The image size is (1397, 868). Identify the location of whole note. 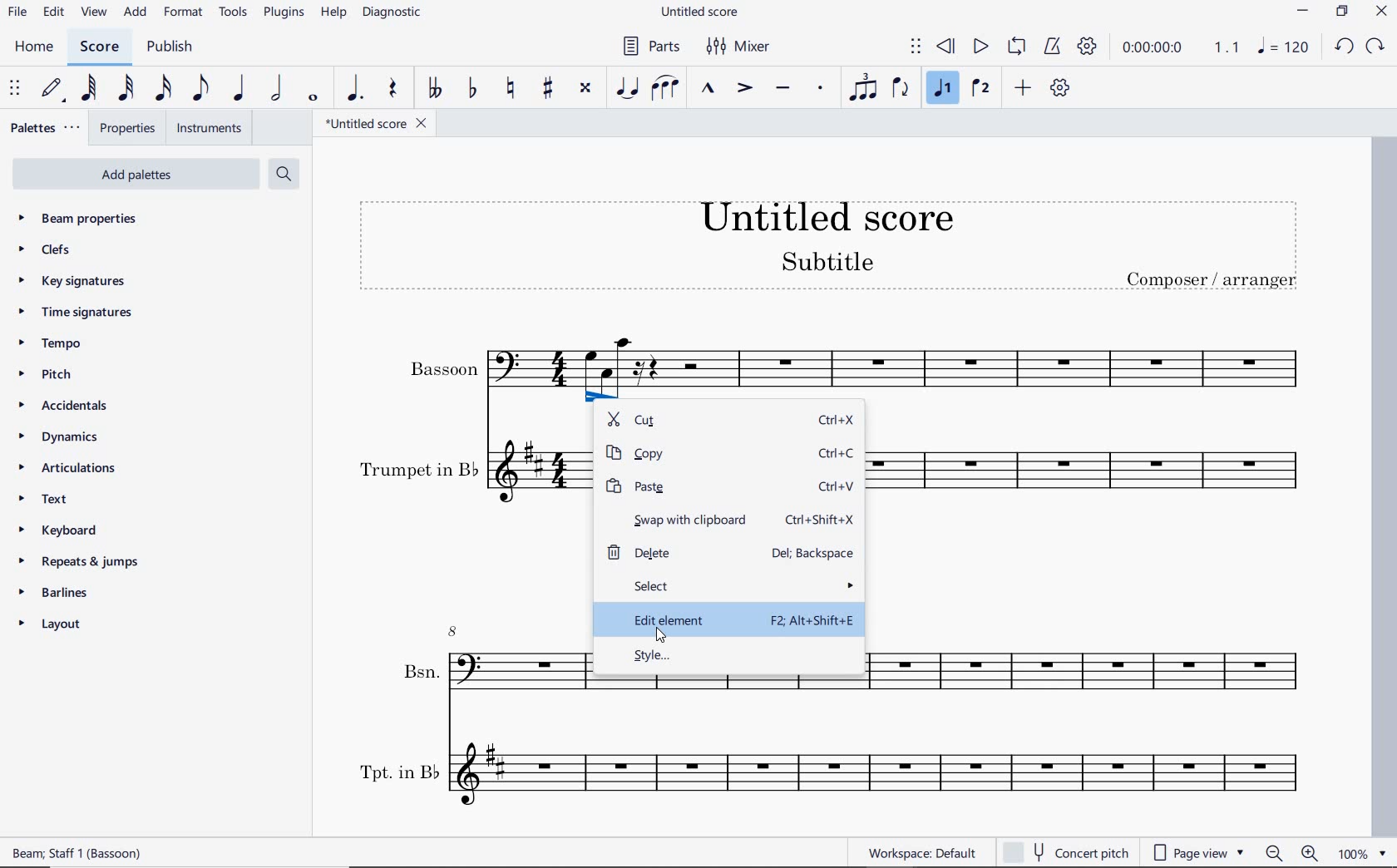
(311, 98).